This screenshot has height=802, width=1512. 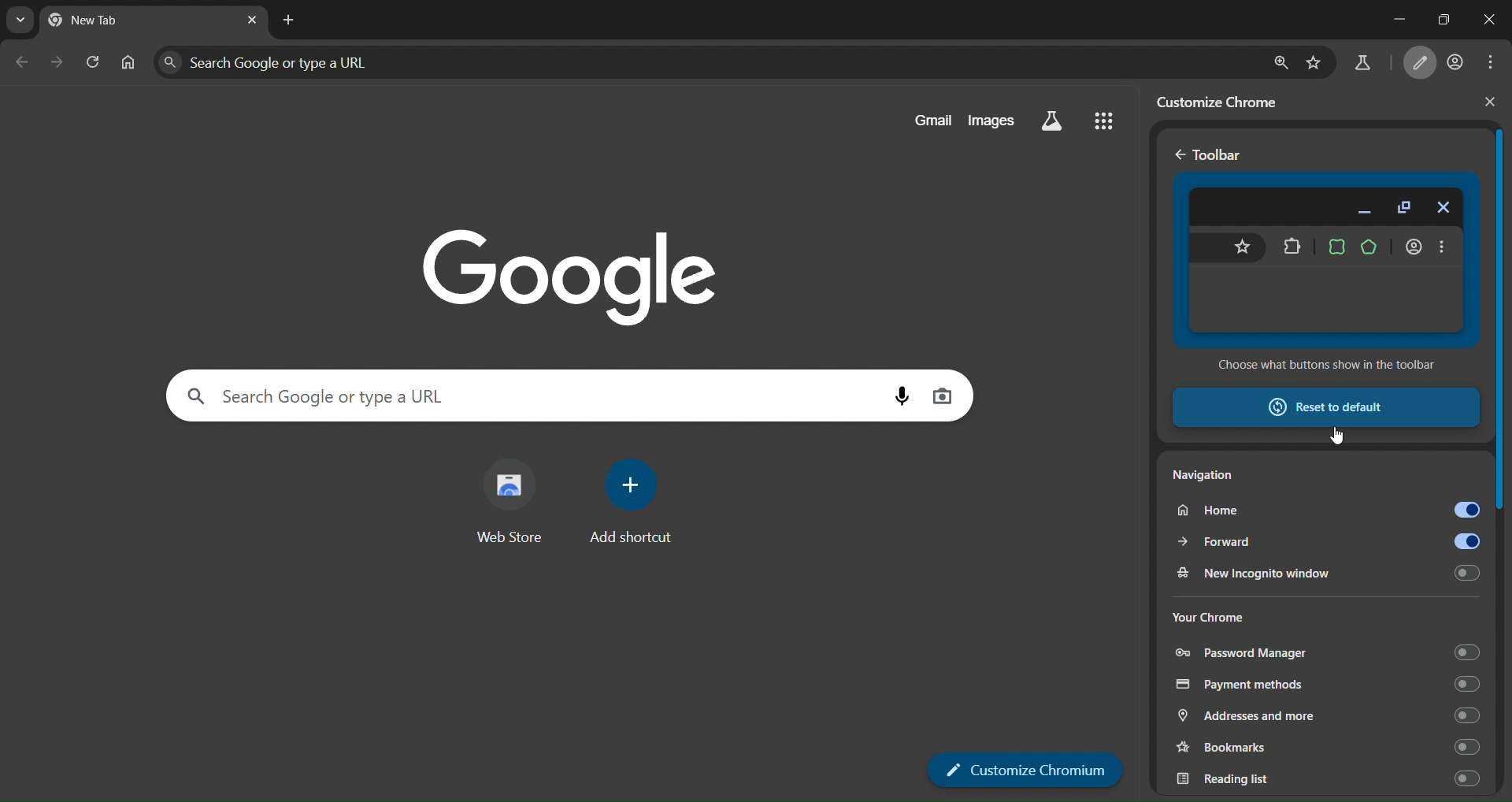 What do you see at coordinates (1221, 155) in the screenshot?
I see `Toolbar` at bounding box center [1221, 155].